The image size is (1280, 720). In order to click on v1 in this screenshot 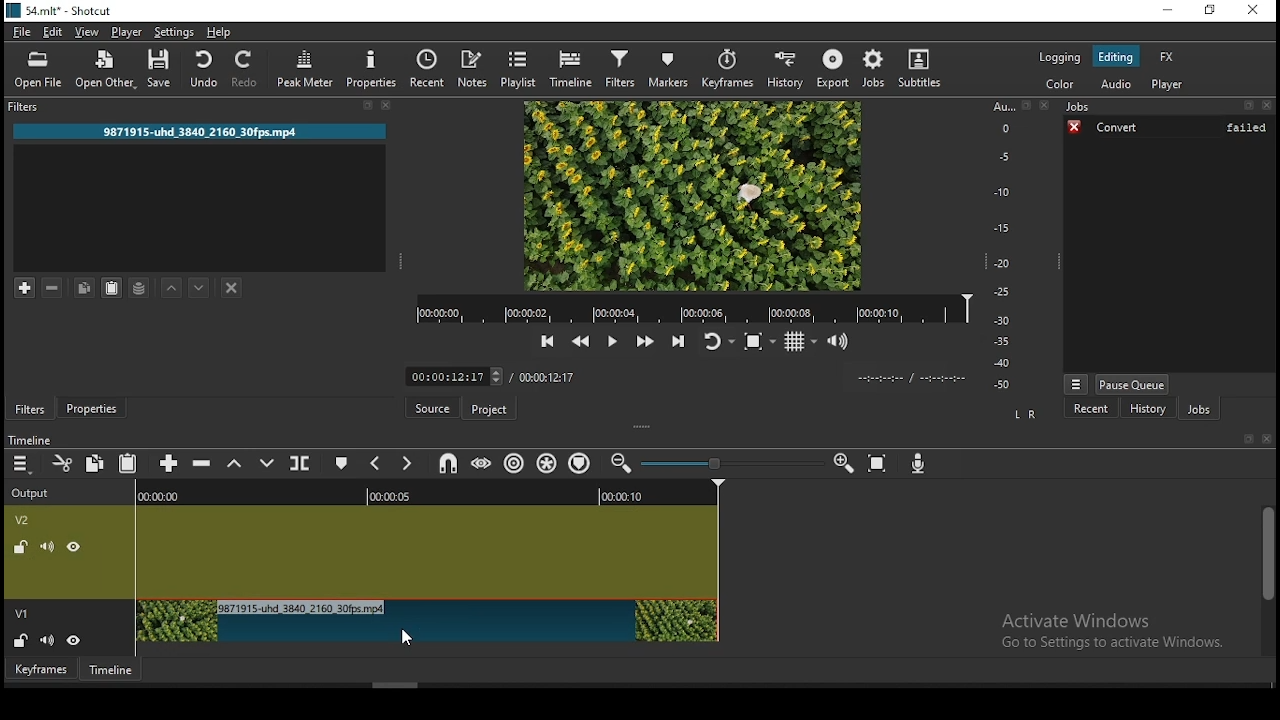, I will do `click(22, 611)`.